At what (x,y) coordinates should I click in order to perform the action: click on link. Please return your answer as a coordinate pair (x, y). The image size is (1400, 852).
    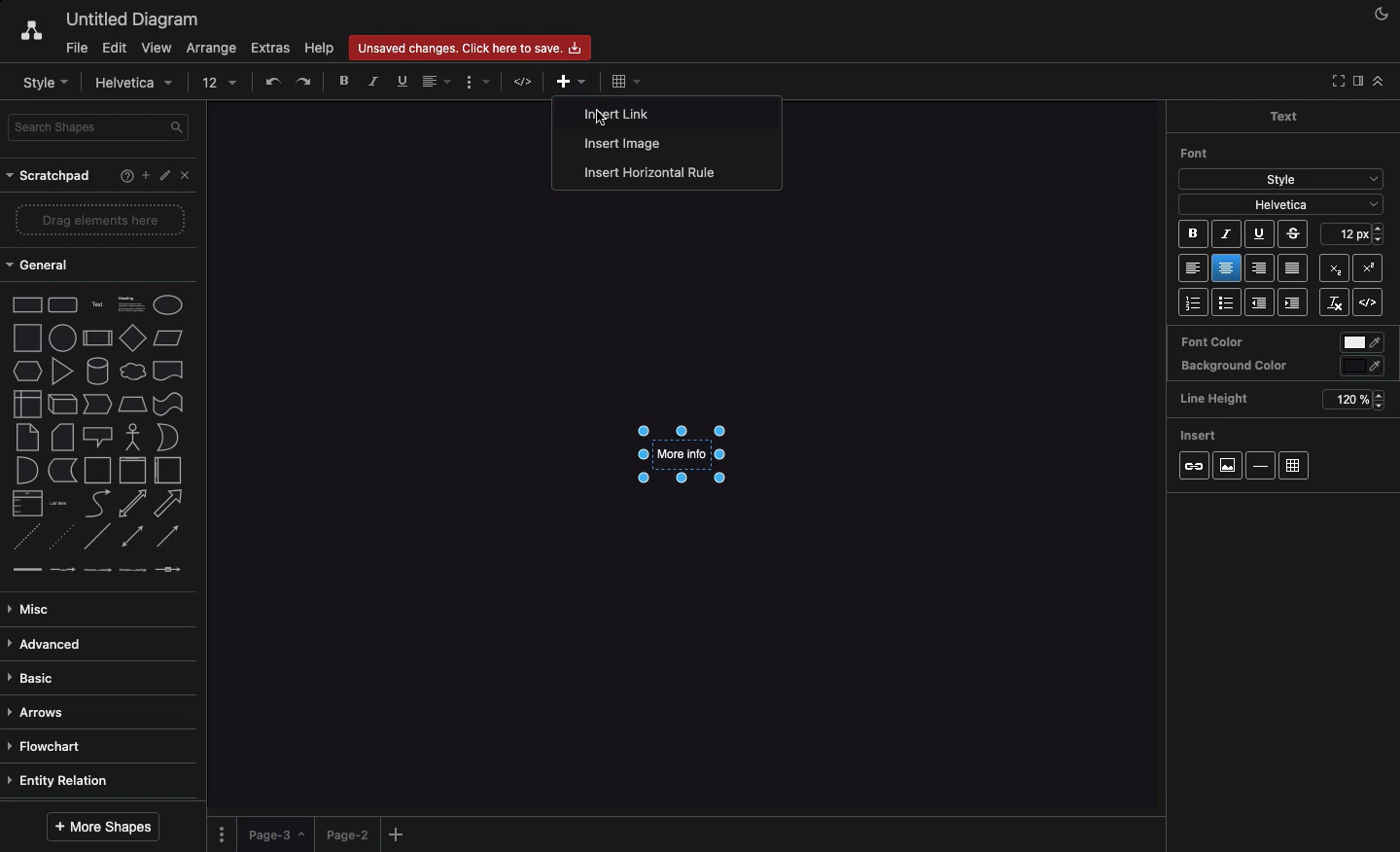
    Looking at the image, I should click on (26, 569).